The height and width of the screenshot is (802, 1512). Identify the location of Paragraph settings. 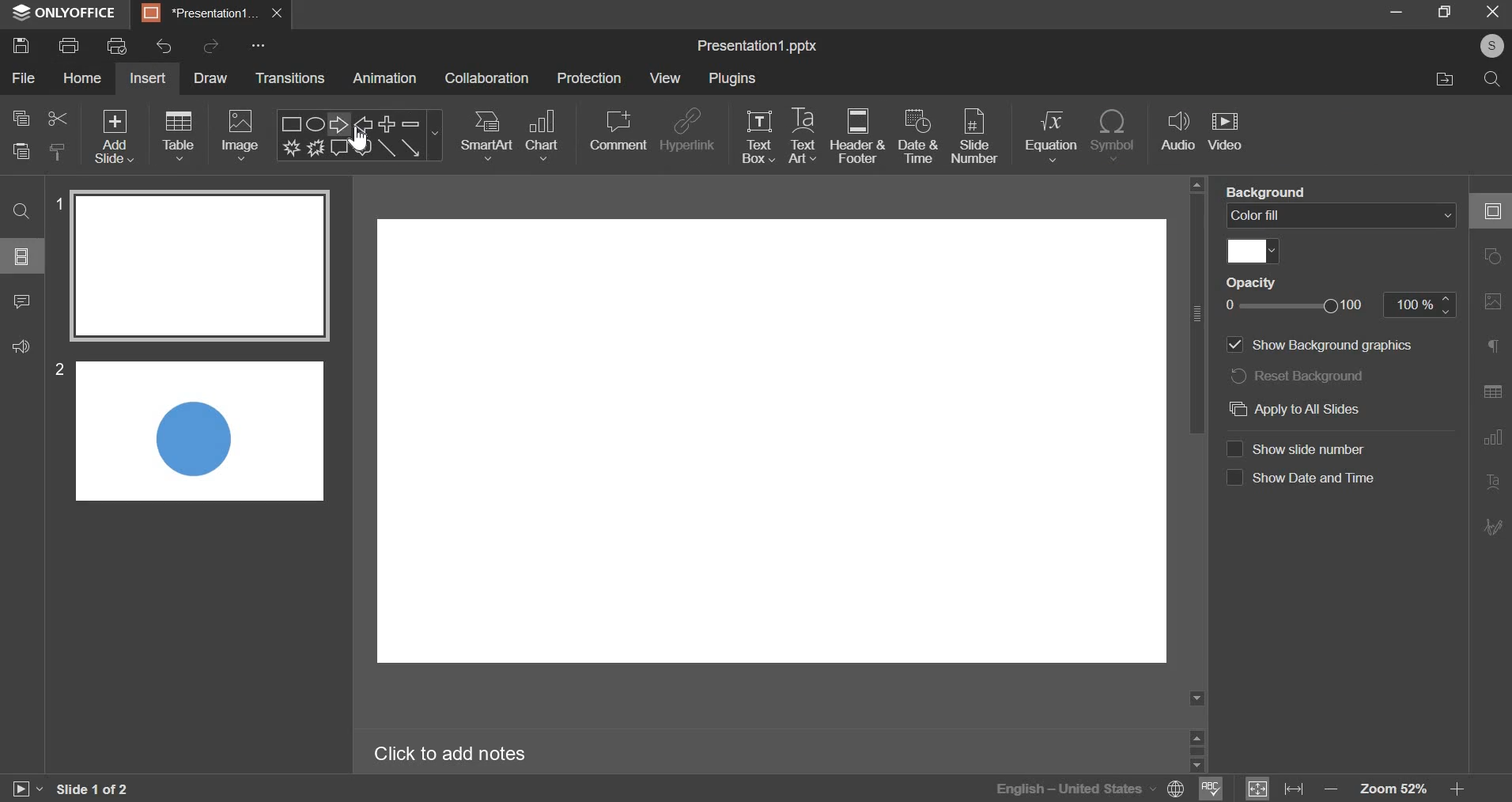
(1491, 345).